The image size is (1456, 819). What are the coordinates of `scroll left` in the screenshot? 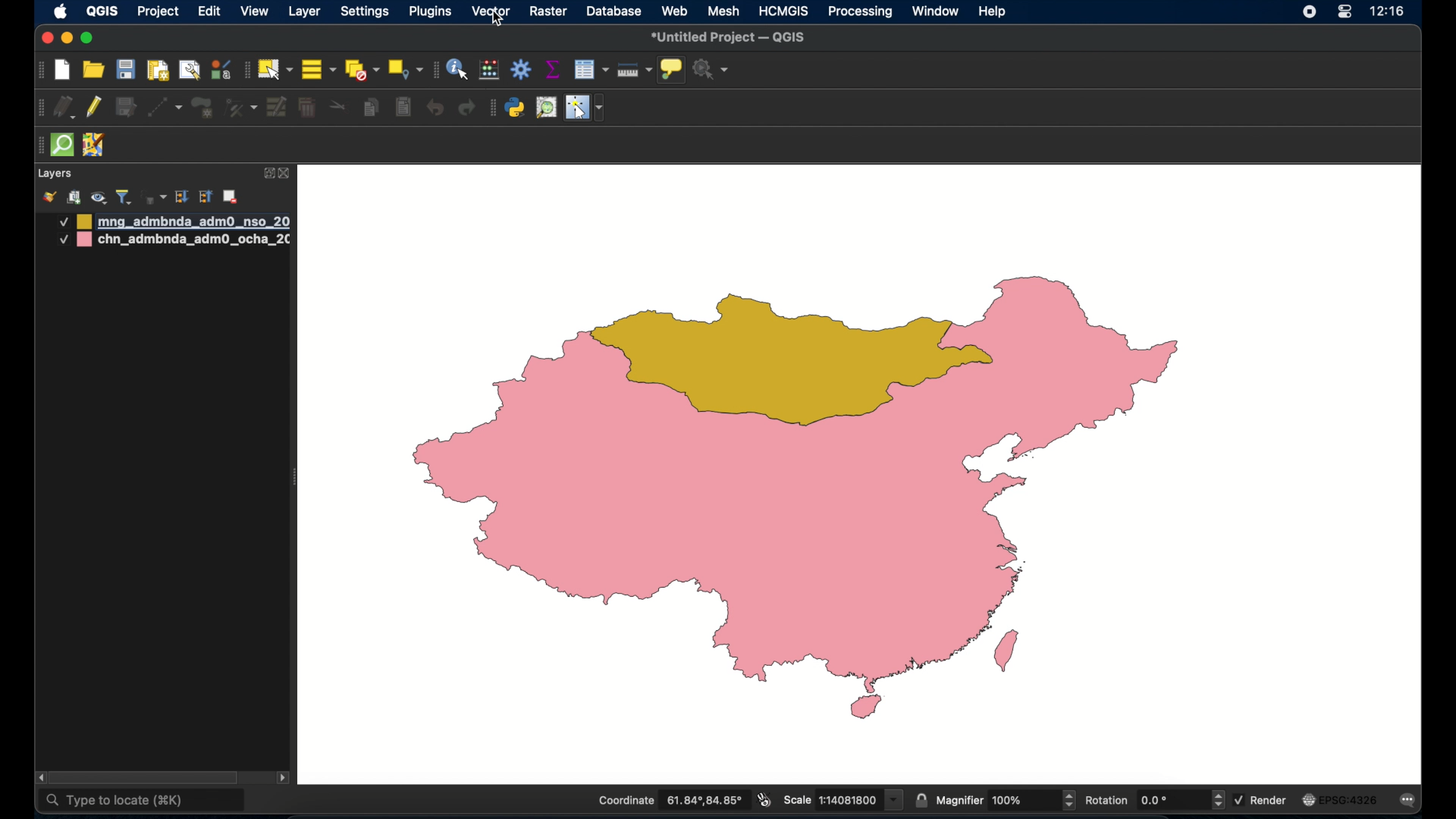 It's located at (41, 778).